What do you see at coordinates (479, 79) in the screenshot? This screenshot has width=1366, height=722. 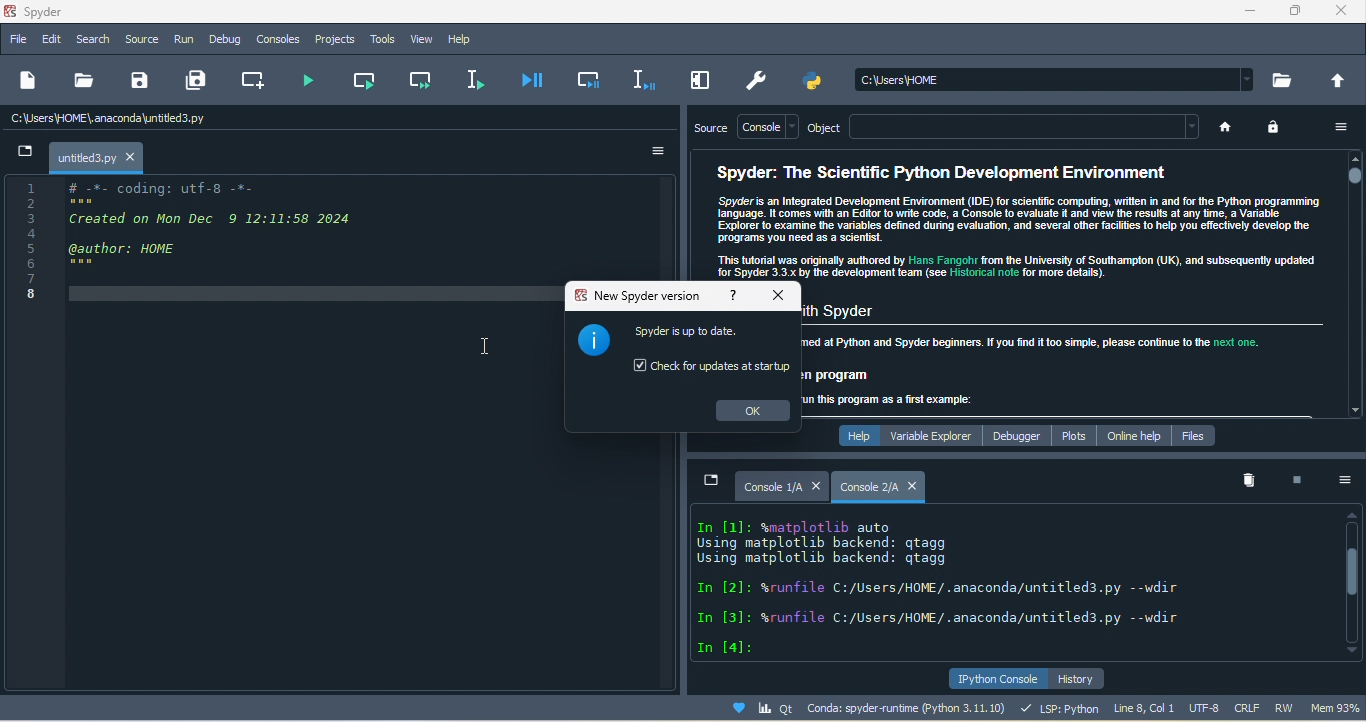 I see `run selection` at bounding box center [479, 79].